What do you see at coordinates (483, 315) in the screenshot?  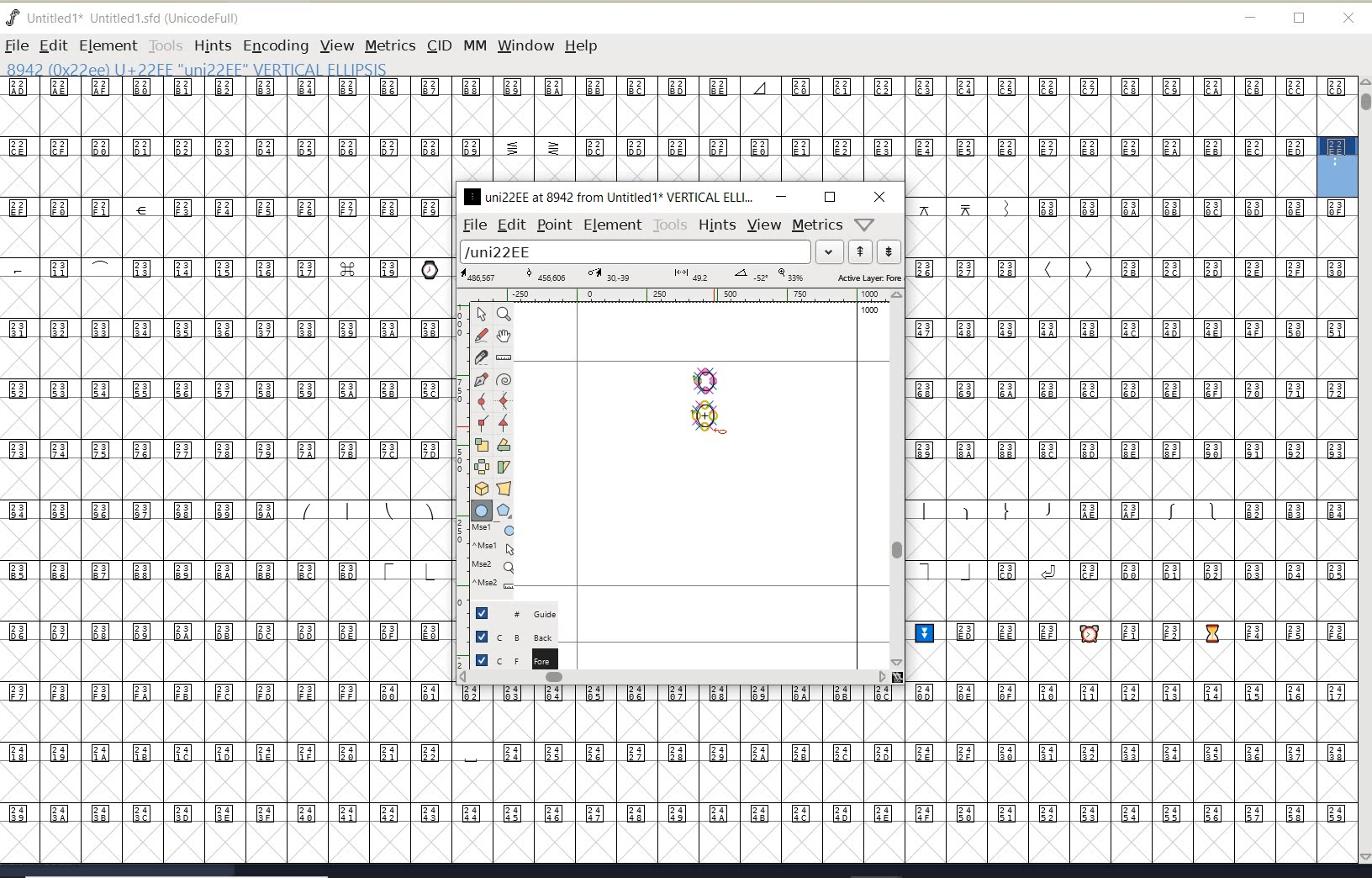 I see `pointer` at bounding box center [483, 315].